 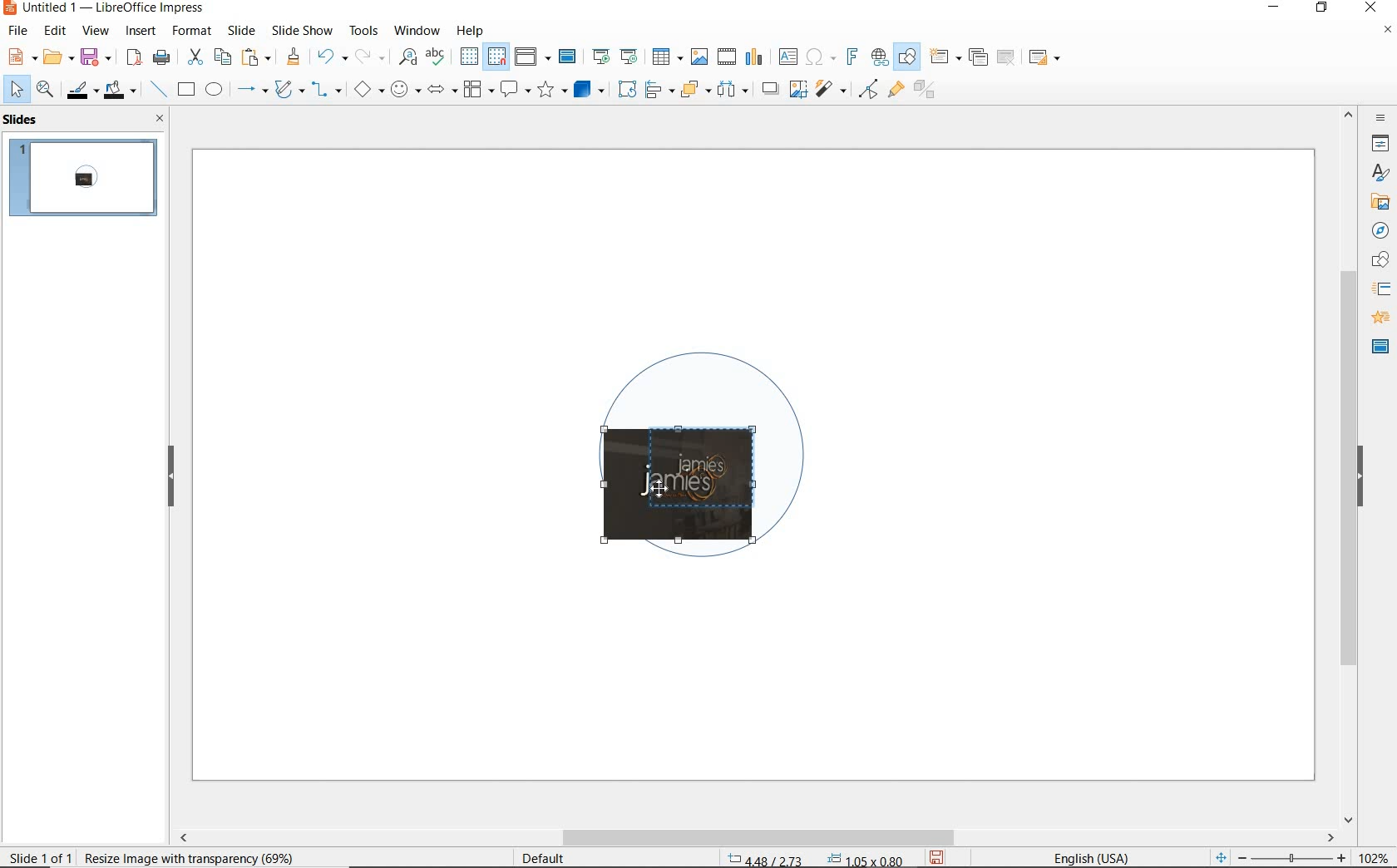 I want to click on rectangle, so click(x=185, y=91).